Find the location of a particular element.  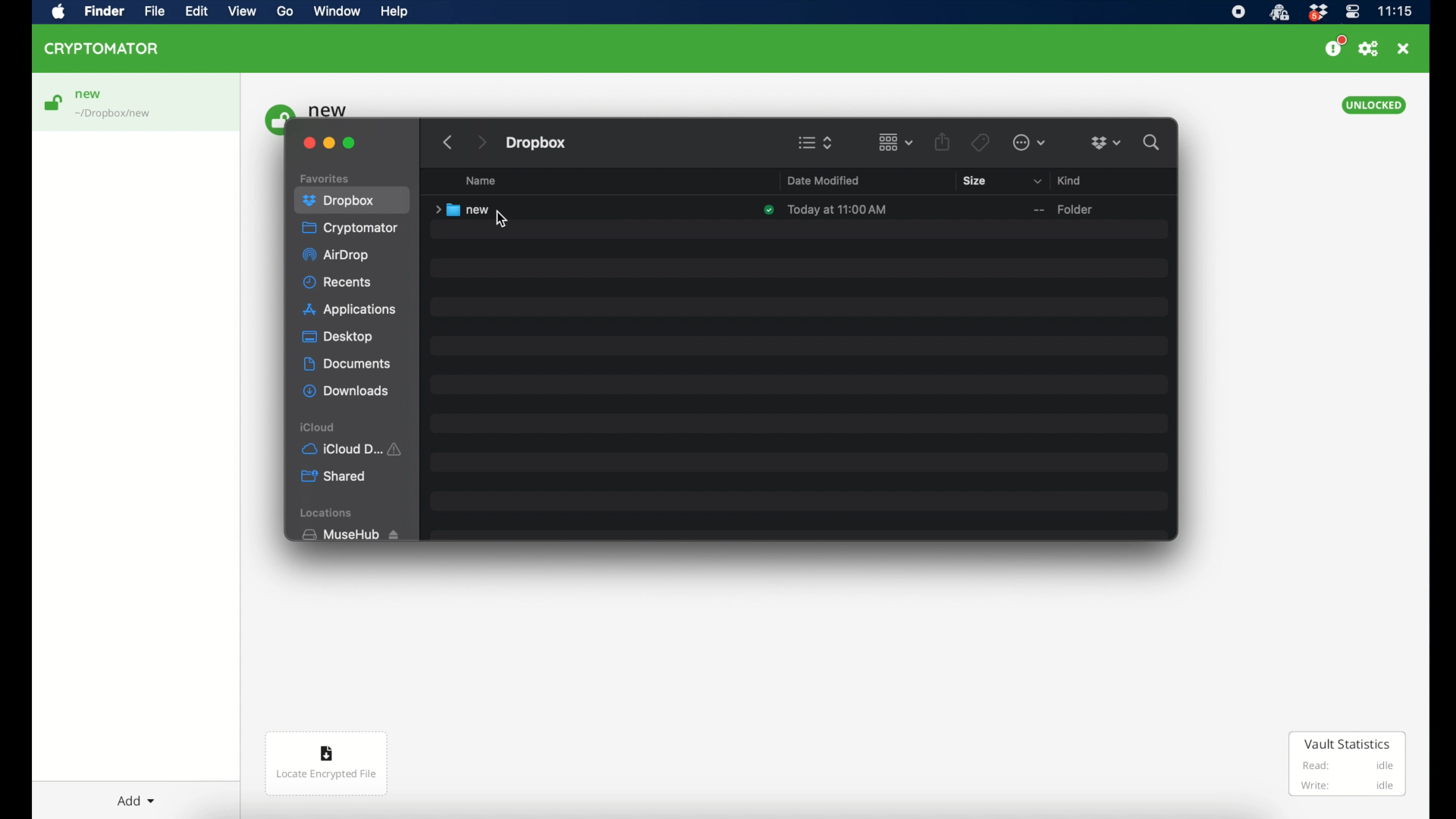

Dropbox is located at coordinates (541, 141).